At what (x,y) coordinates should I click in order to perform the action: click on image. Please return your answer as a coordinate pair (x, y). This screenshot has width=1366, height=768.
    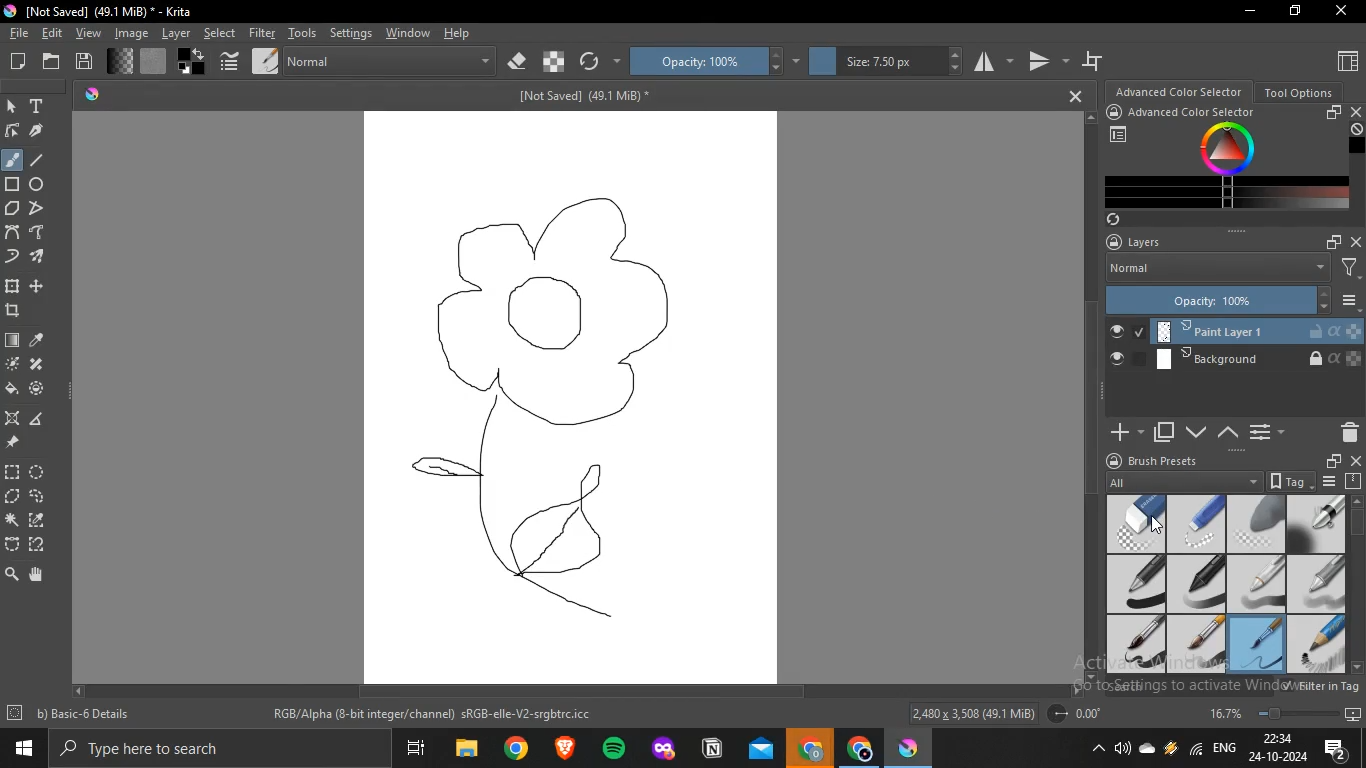
    Looking at the image, I should click on (129, 32).